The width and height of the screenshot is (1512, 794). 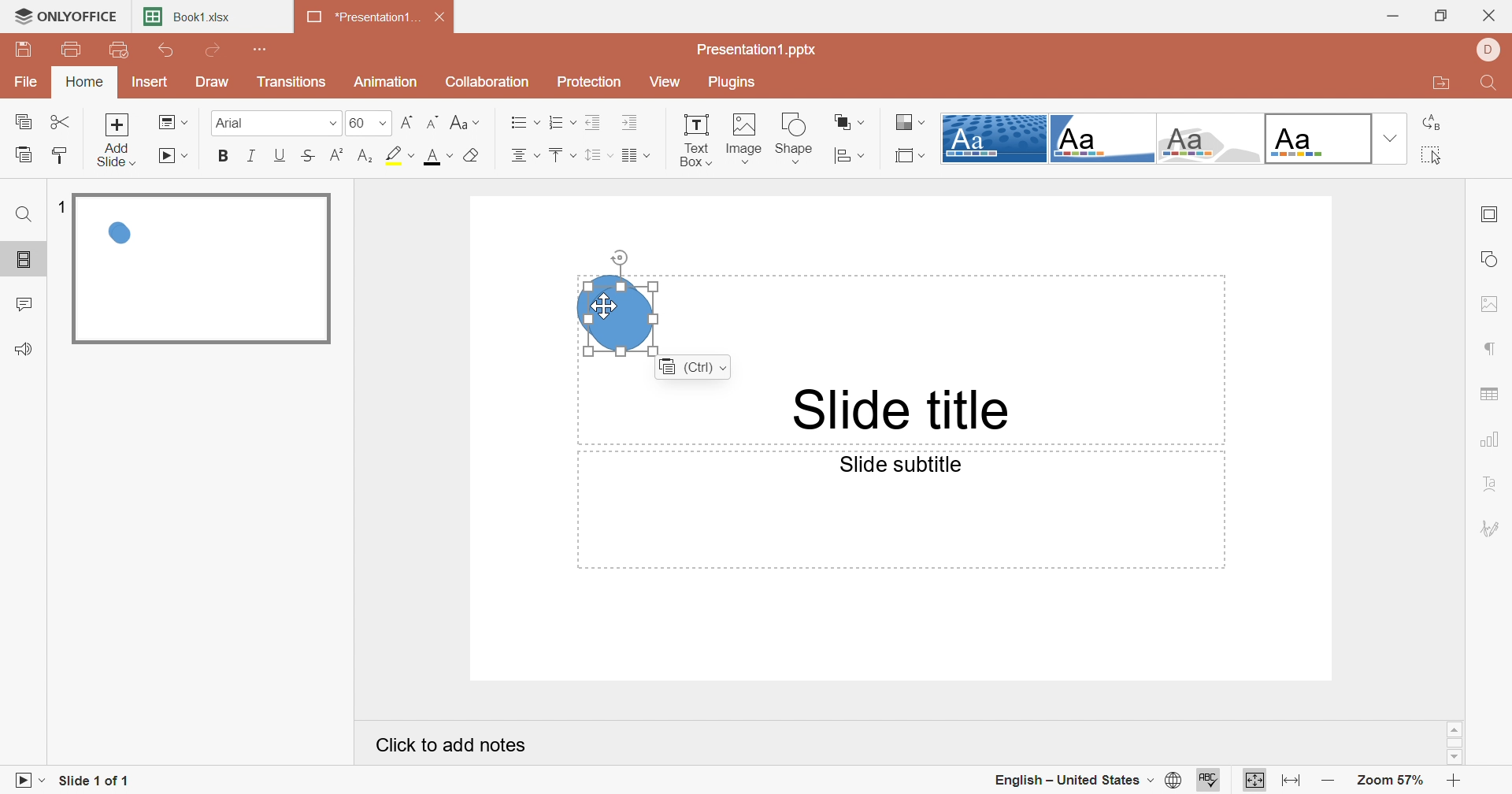 I want to click on Change slide layout, so click(x=172, y=121).